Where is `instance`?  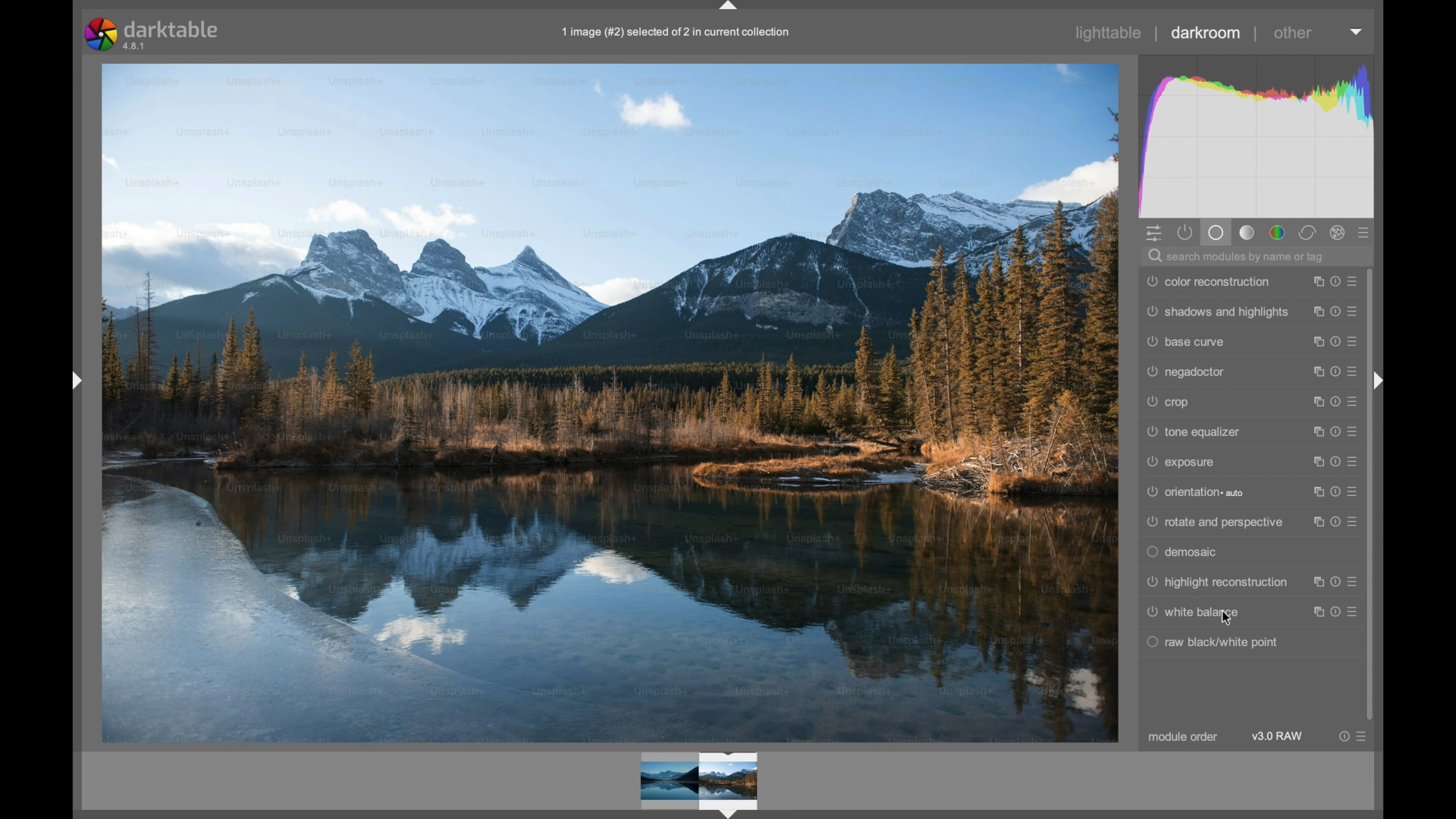 instance is located at coordinates (1315, 463).